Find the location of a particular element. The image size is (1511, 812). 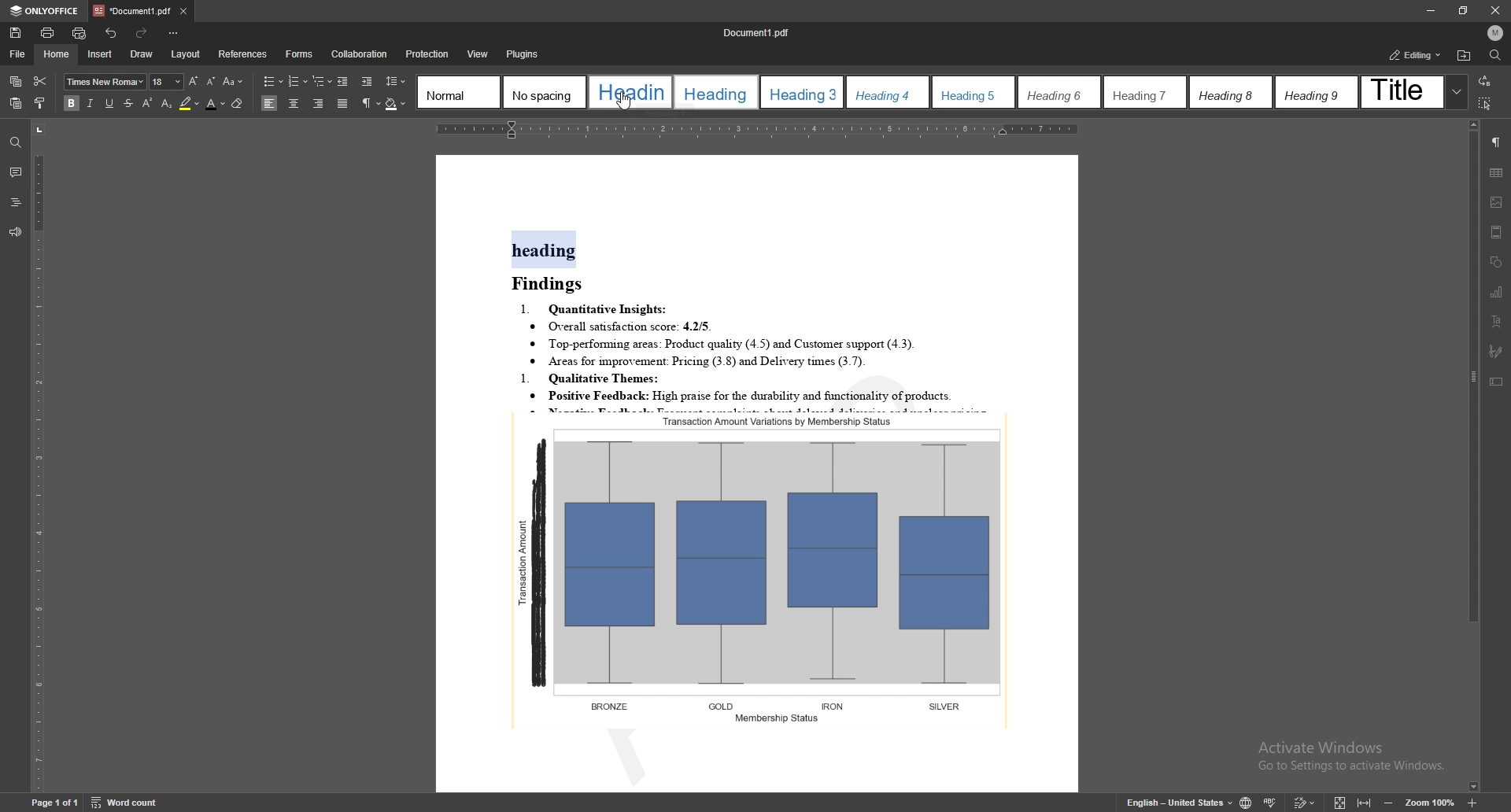

® Overall satisfaction score: 4.2/5. is located at coordinates (623, 327).